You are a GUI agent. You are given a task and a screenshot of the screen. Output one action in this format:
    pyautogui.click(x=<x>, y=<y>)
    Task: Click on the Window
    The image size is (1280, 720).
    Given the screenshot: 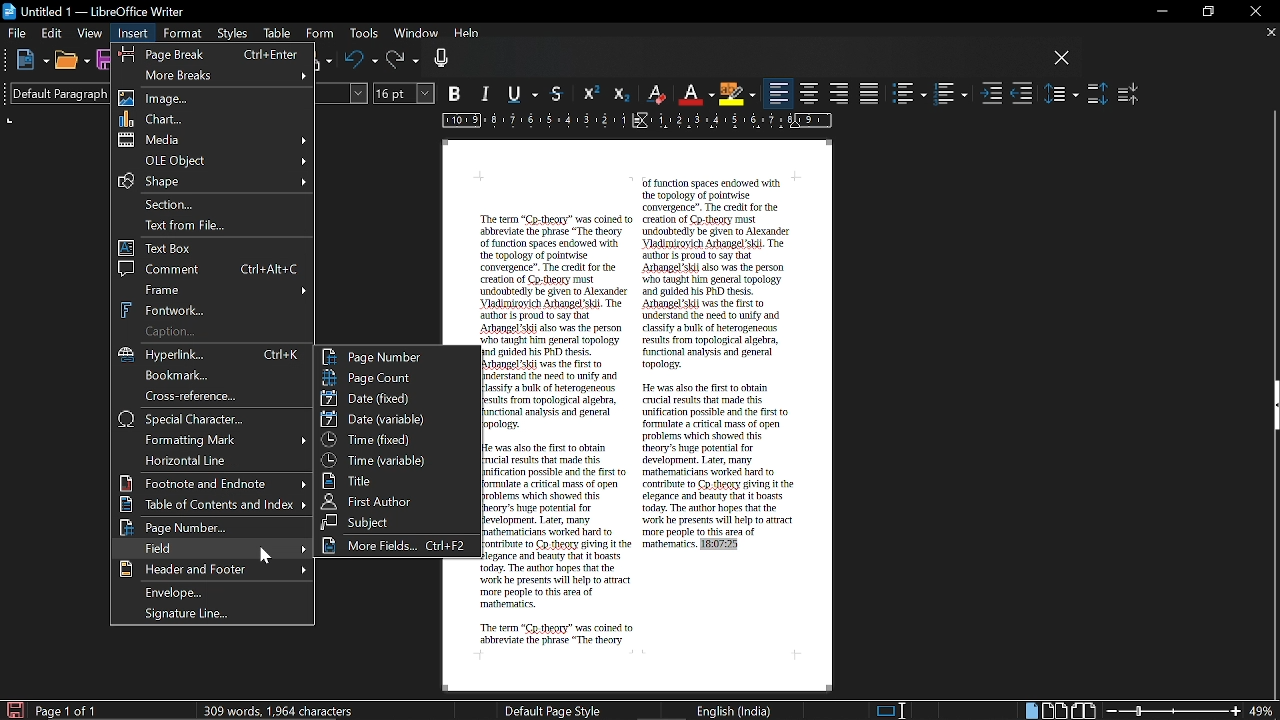 What is the action you would take?
    pyautogui.click(x=414, y=35)
    